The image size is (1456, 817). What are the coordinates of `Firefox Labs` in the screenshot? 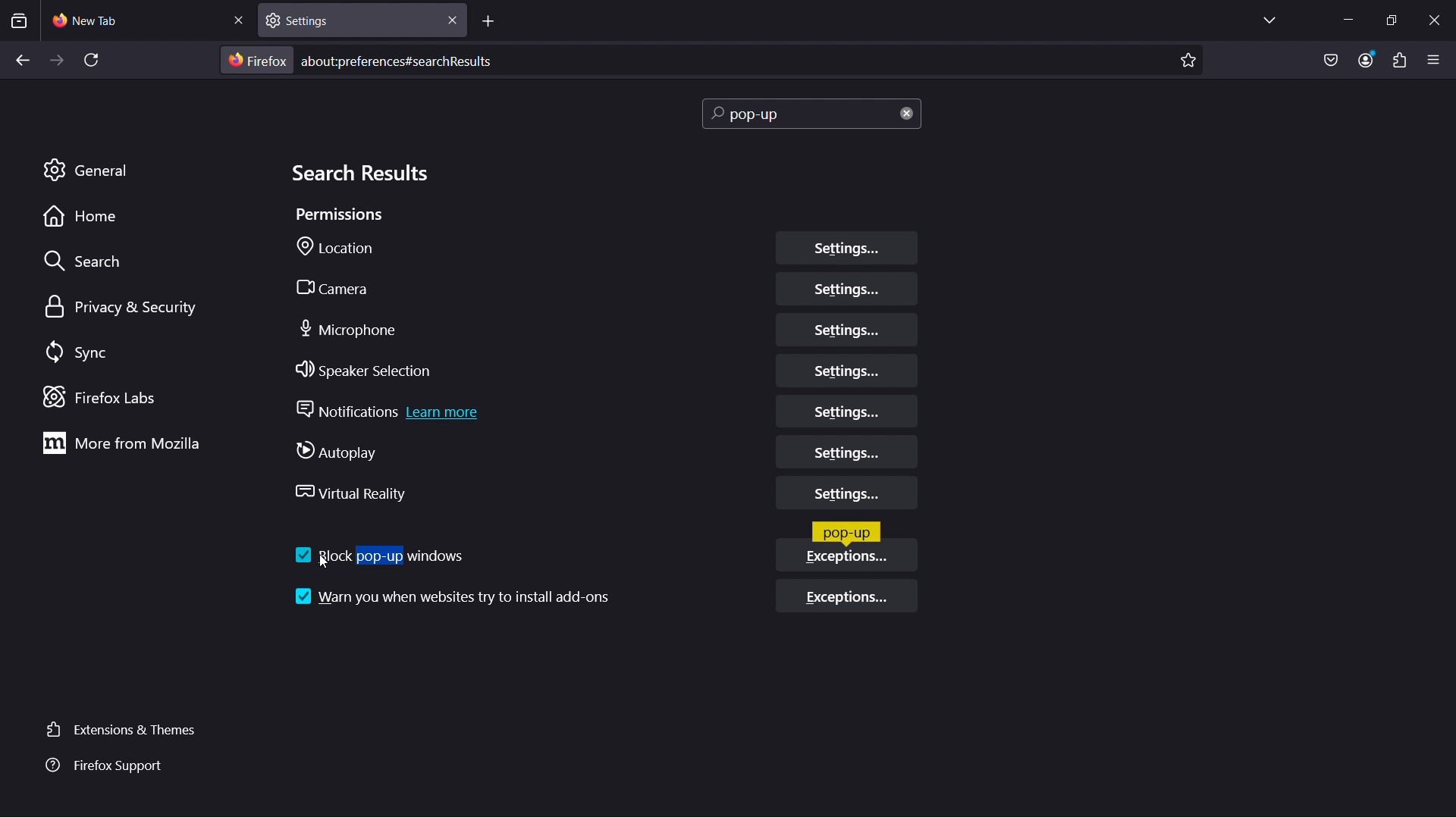 It's located at (103, 397).